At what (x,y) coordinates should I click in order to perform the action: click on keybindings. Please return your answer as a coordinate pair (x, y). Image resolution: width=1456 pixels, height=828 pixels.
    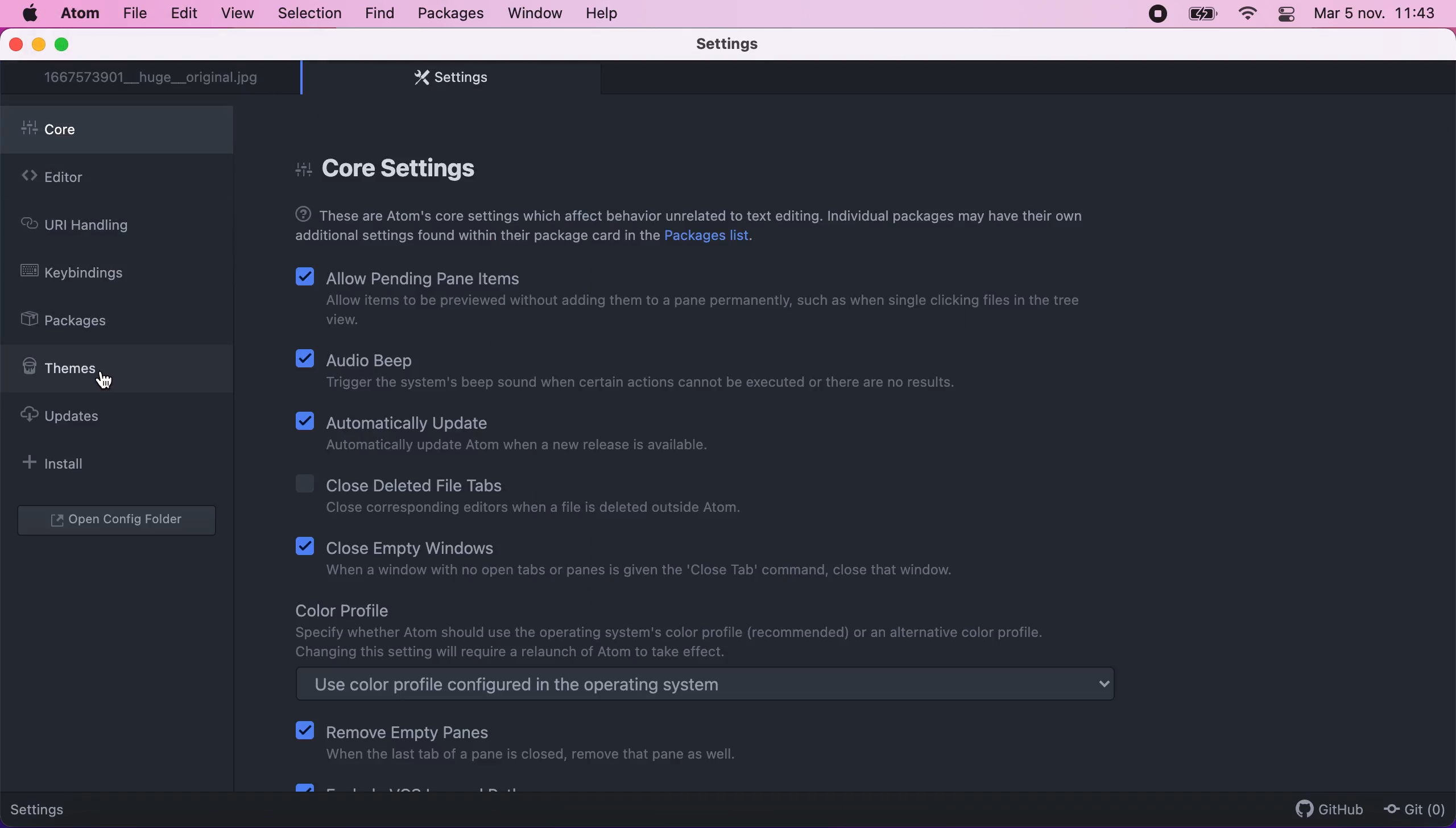
    Looking at the image, I should click on (88, 273).